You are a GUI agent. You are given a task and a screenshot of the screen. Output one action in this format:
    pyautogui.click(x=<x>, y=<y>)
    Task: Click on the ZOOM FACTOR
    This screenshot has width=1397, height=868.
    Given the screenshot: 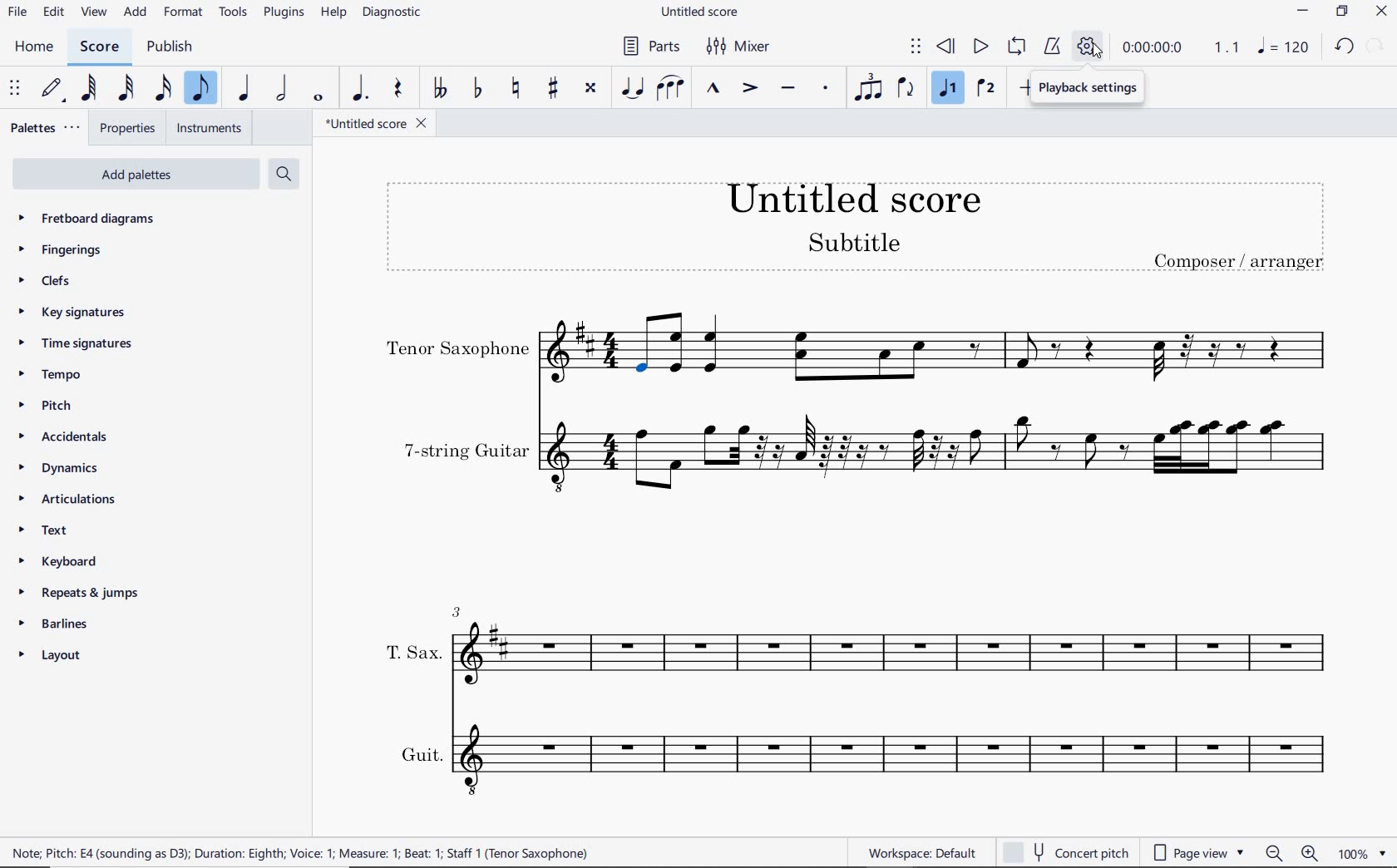 What is the action you would take?
    pyautogui.click(x=1364, y=856)
    